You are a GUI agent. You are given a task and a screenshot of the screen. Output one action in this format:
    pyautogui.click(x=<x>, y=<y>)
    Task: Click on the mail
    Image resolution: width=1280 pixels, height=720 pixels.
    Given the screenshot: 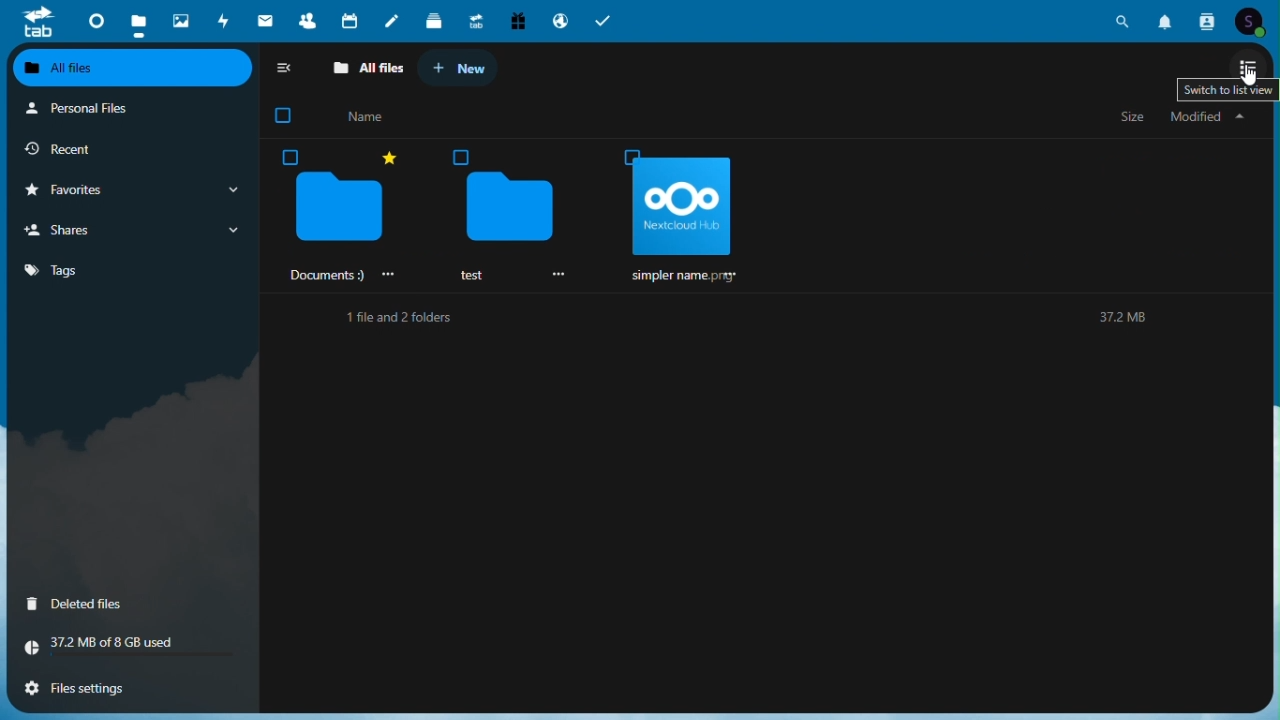 What is the action you would take?
    pyautogui.click(x=264, y=20)
    